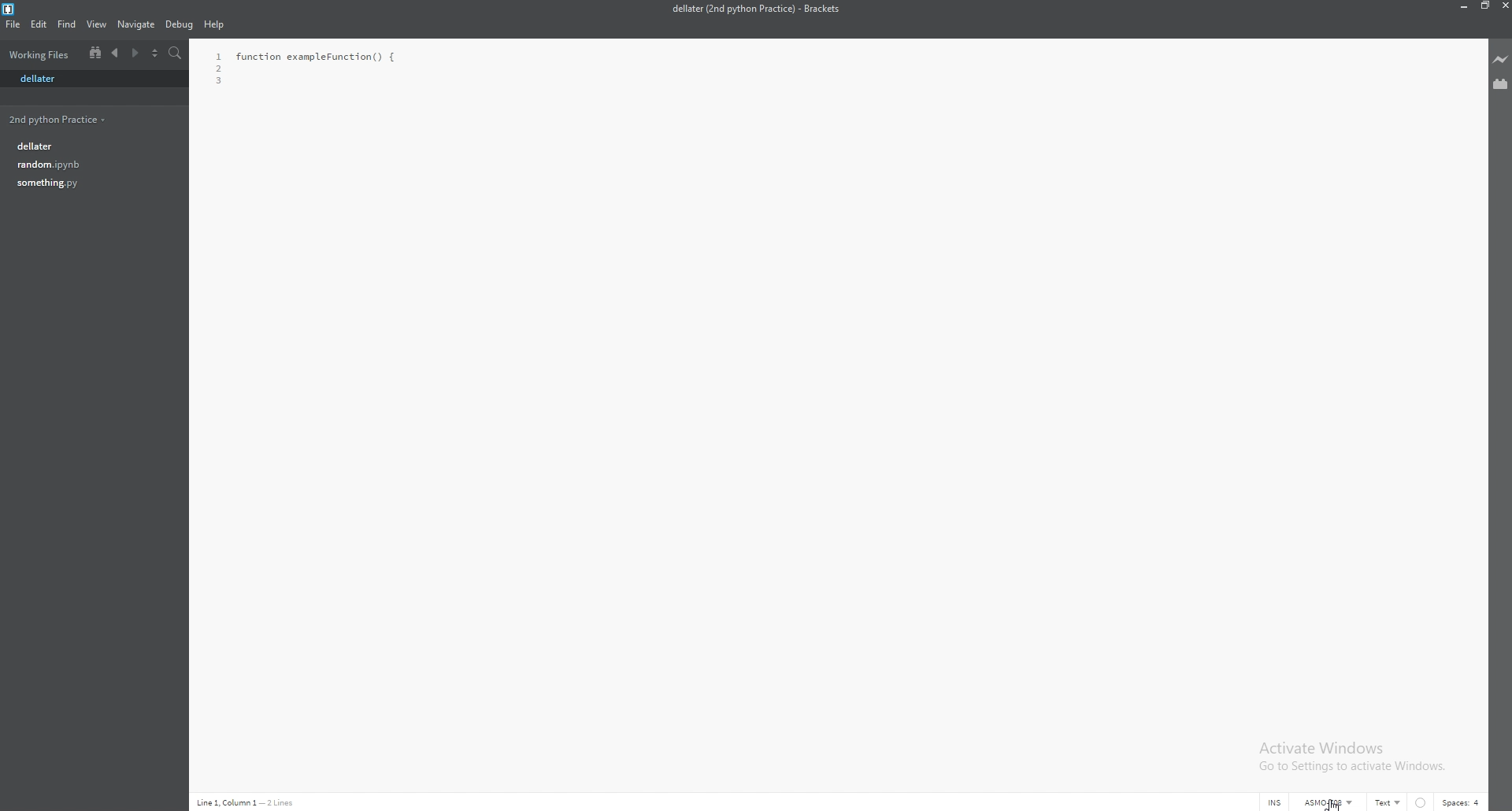 This screenshot has height=811, width=1512. I want to click on random.ipynb, so click(88, 165).